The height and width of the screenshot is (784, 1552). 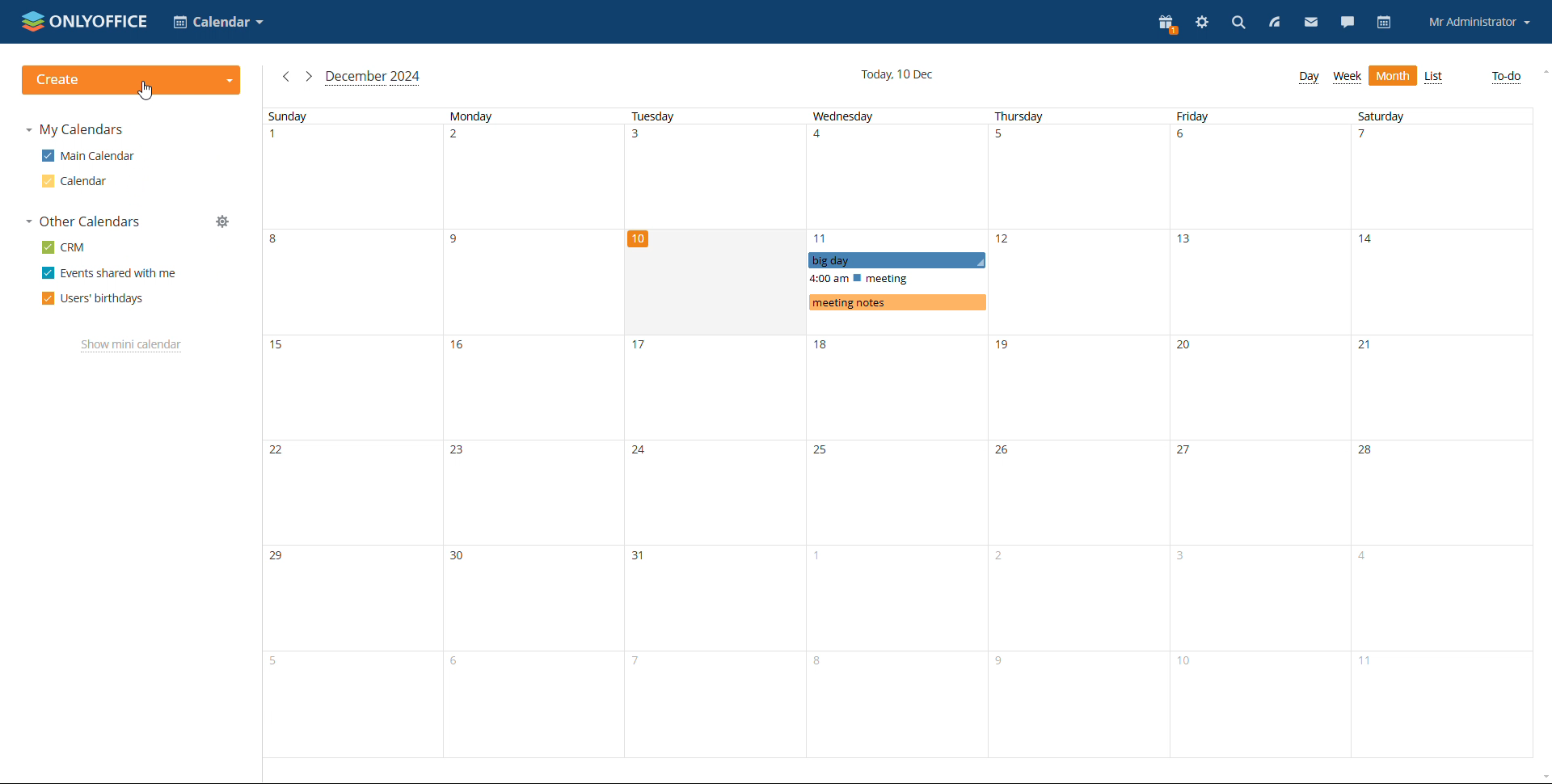 What do you see at coordinates (1346, 23) in the screenshot?
I see `talk` at bounding box center [1346, 23].